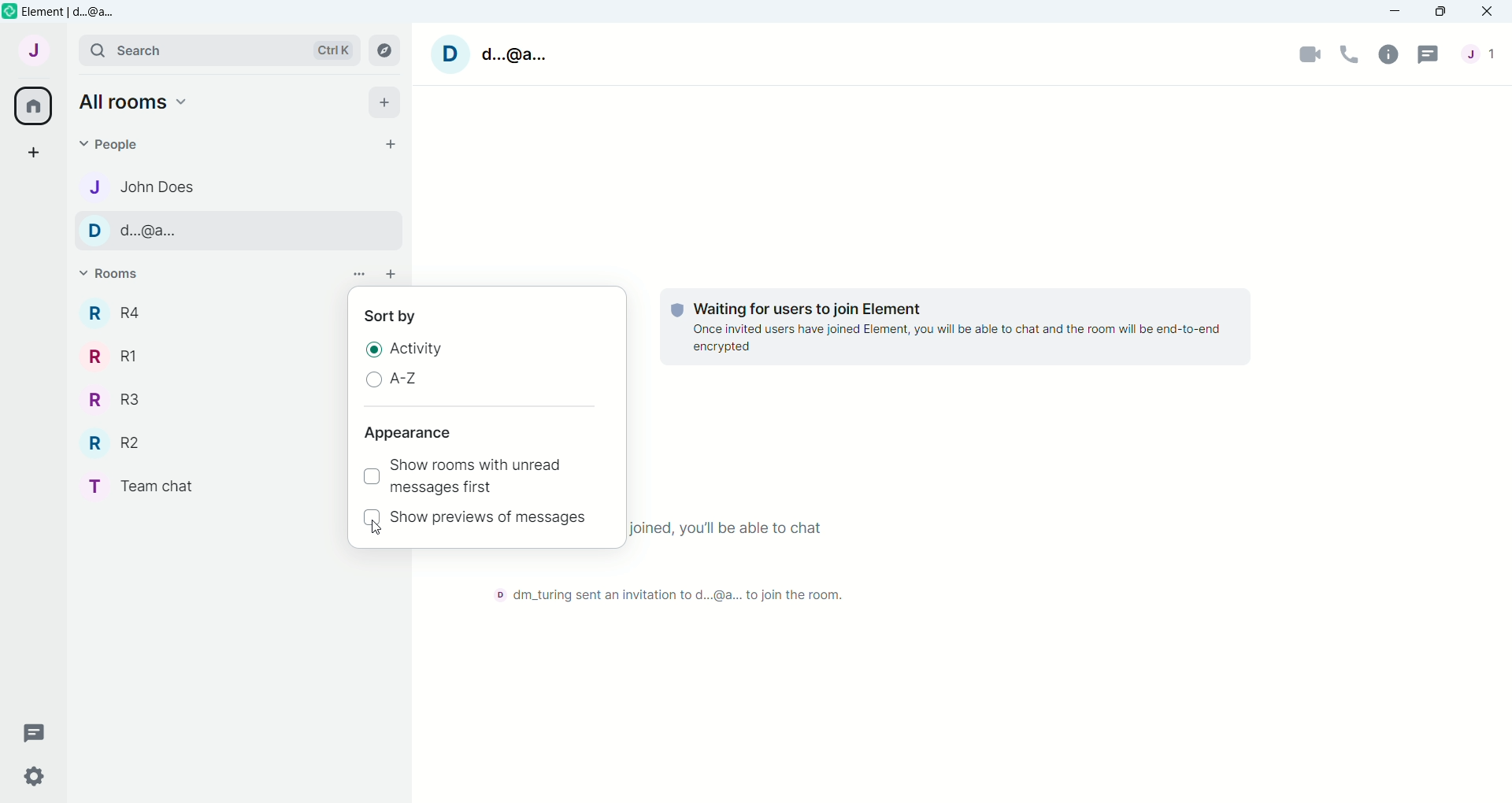 This screenshot has height=803, width=1512. Describe the element at coordinates (374, 381) in the screenshot. I see `Radio Button` at that location.